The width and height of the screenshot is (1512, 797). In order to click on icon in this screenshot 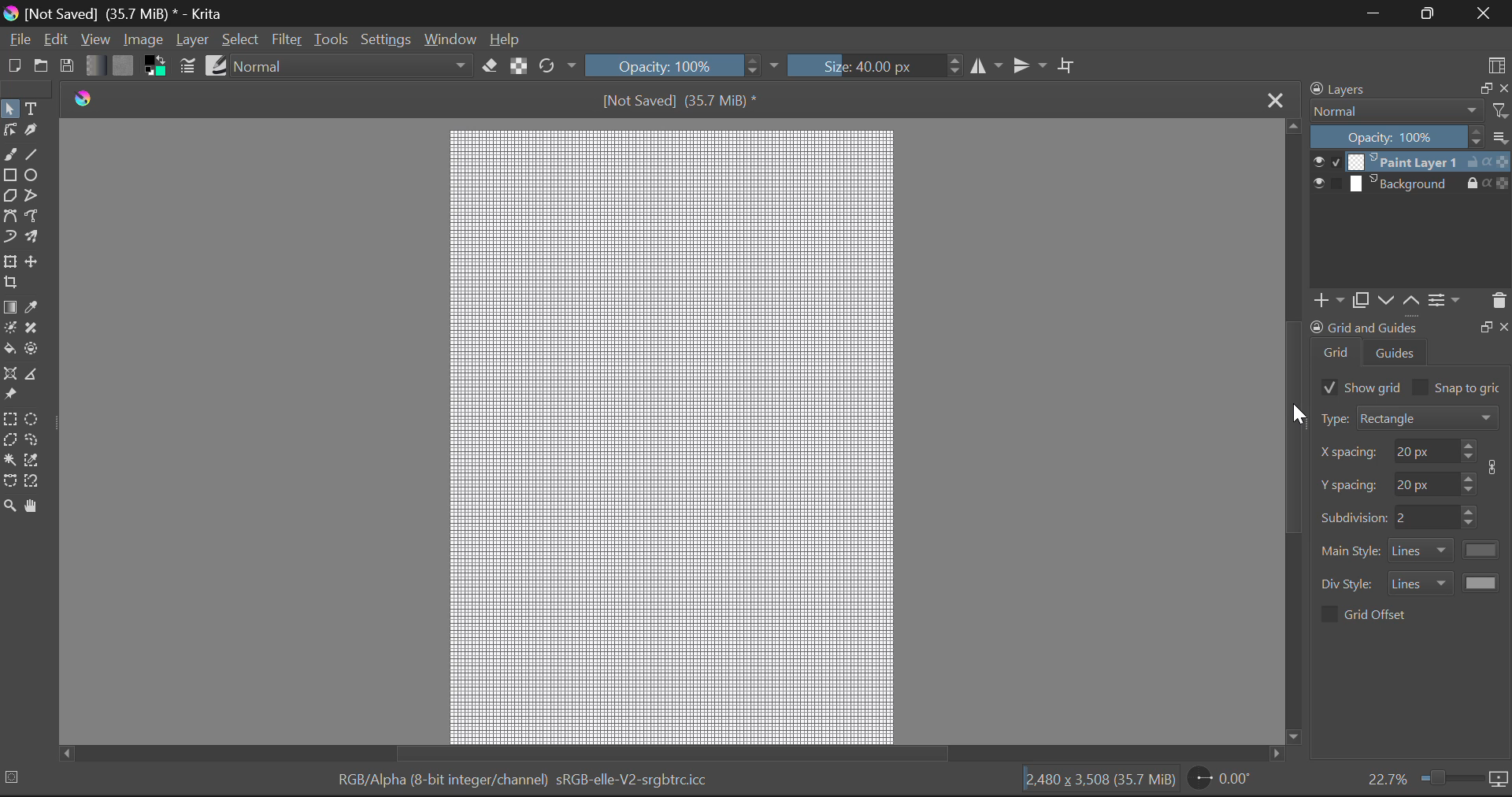, I will do `click(1496, 467)`.